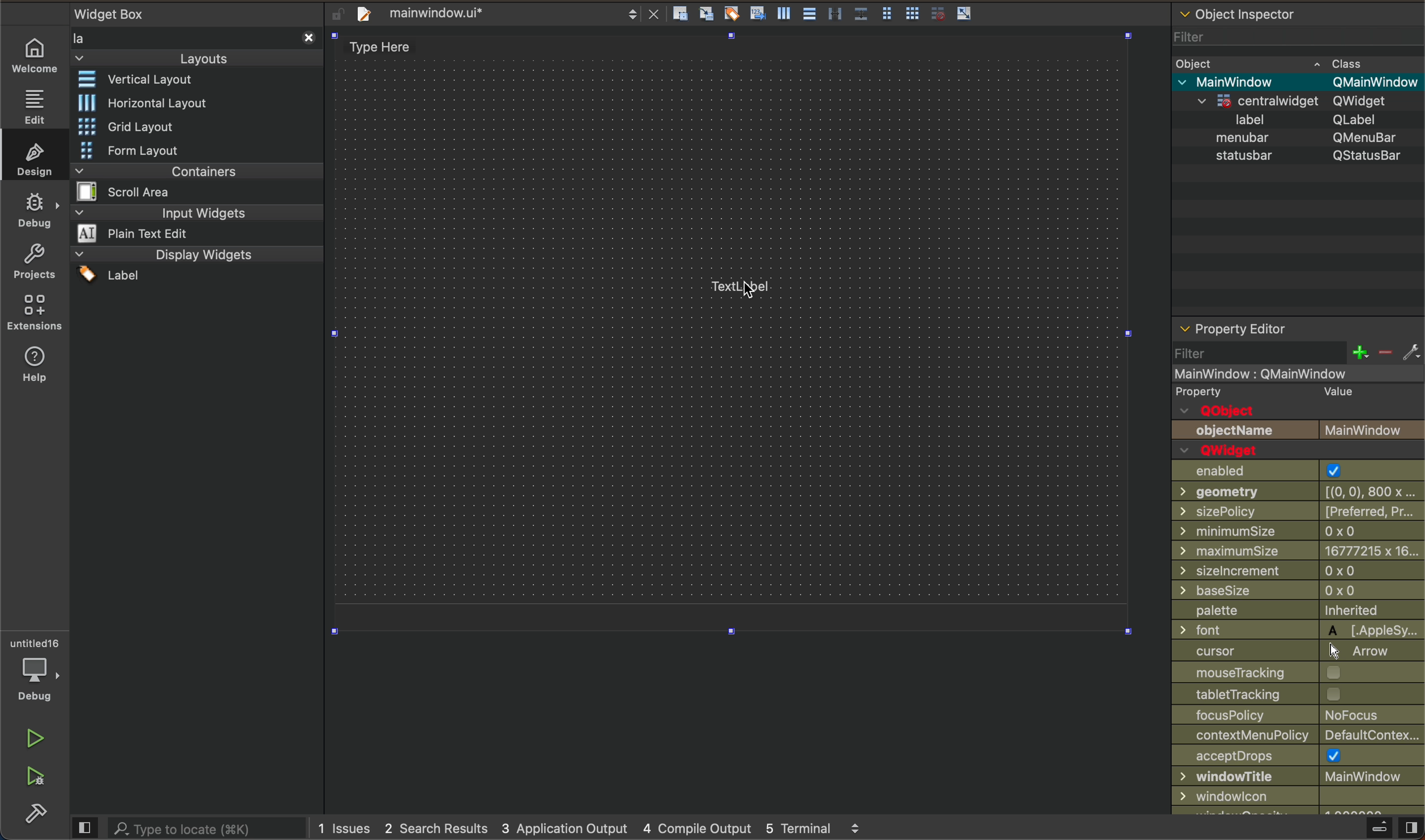 The height and width of the screenshot is (840, 1425). I want to click on type here , so click(397, 43).